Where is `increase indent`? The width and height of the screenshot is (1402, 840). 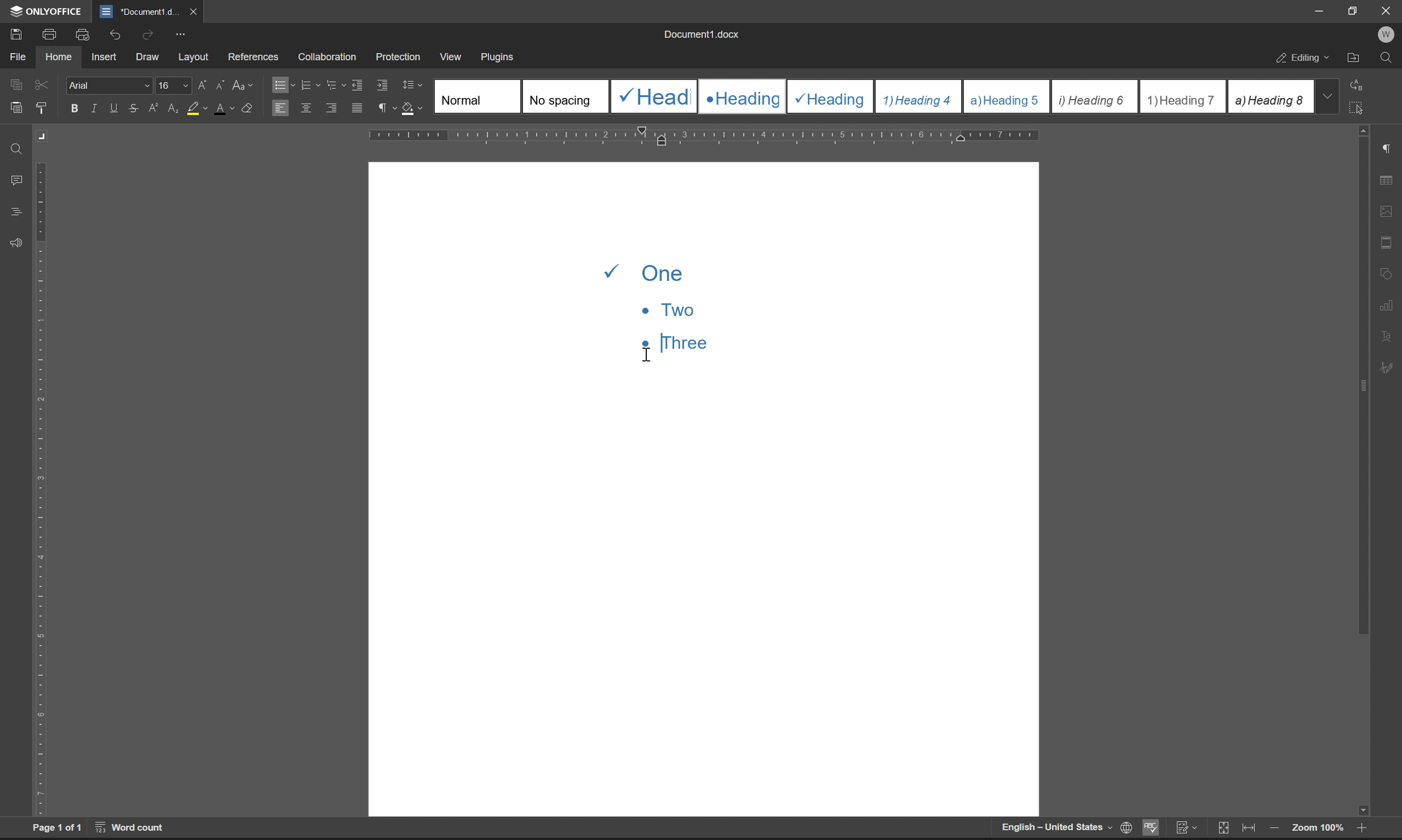
increase indent is located at coordinates (383, 85).